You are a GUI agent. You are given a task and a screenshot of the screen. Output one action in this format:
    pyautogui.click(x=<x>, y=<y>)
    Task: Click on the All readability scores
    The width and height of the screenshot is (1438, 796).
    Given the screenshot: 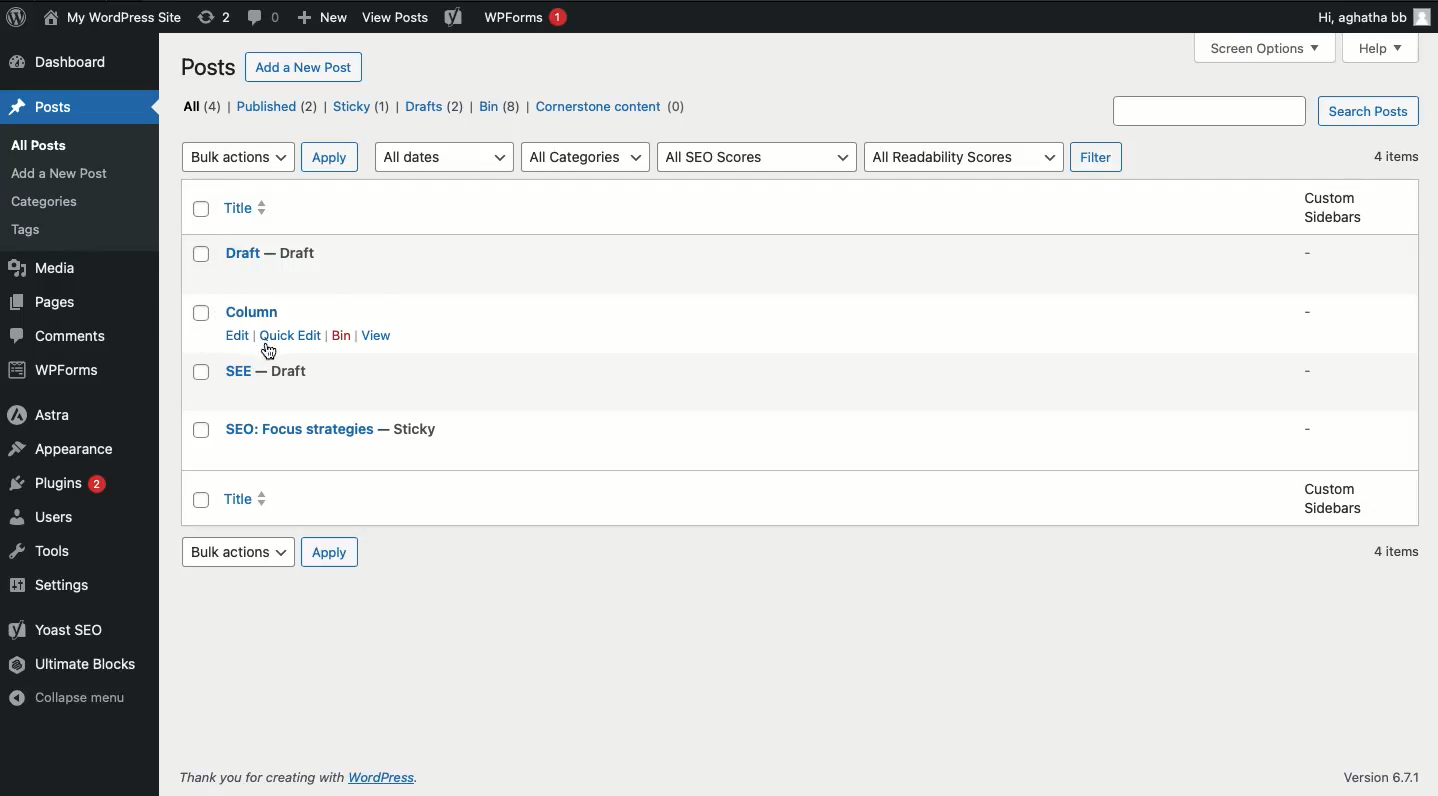 What is the action you would take?
    pyautogui.click(x=963, y=156)
    